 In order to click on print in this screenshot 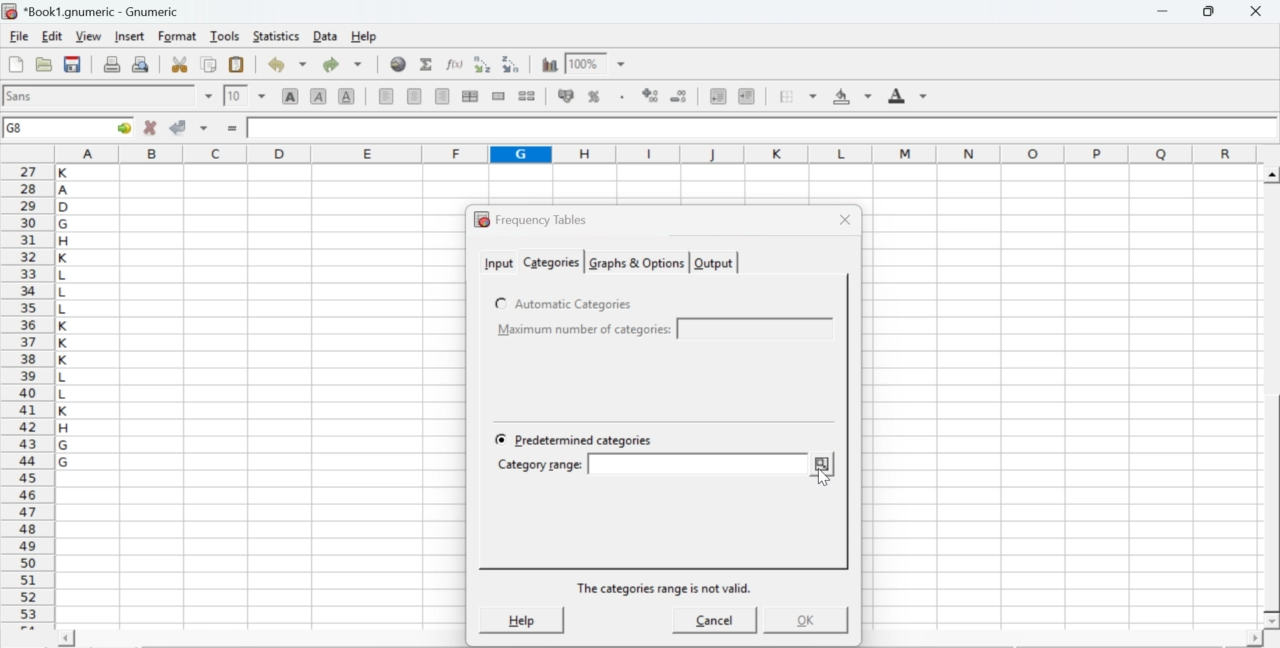, I will do `click(112, 63)`.